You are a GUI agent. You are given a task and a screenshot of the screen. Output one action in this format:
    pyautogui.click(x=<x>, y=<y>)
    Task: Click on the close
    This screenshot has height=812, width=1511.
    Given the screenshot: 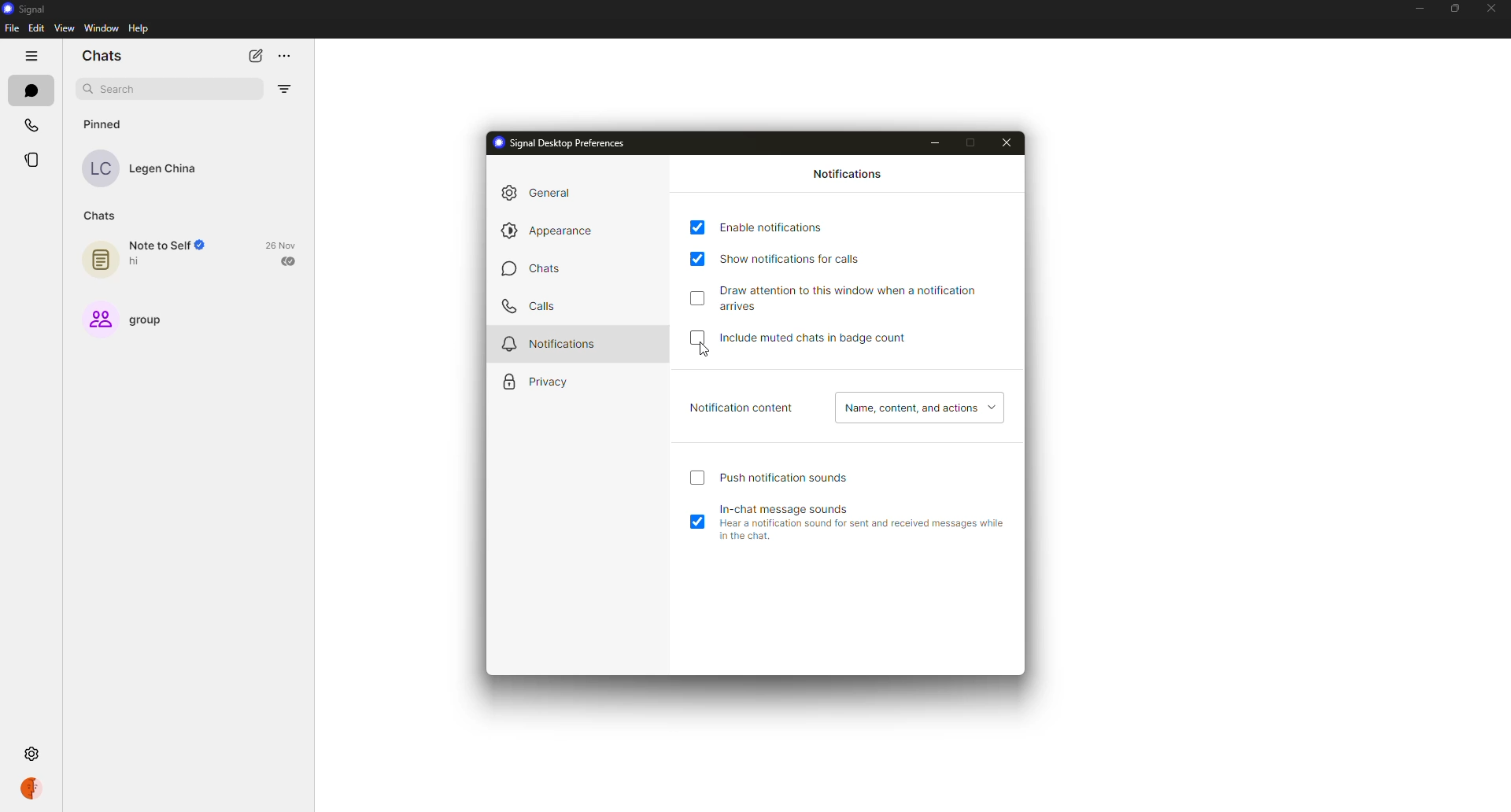 What is the action you would take?
    pyautogui.click(x=1491, y=6)
    